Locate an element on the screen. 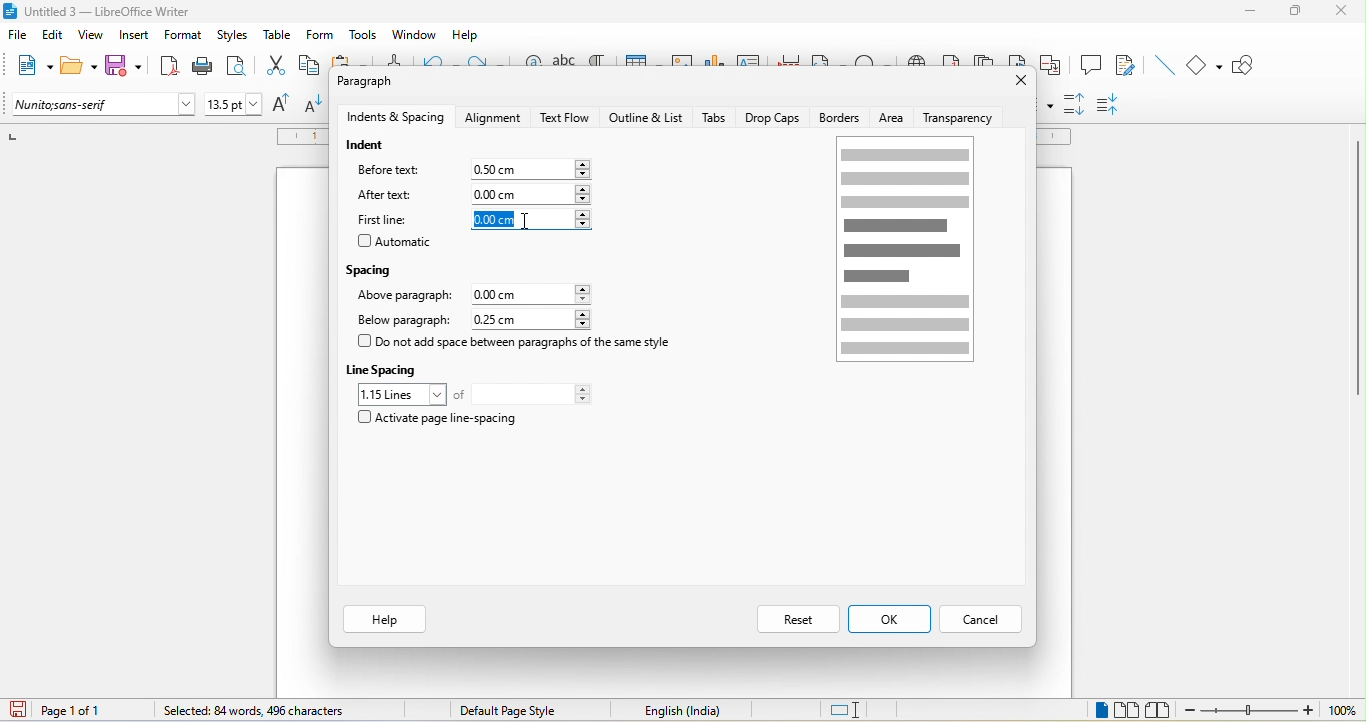 The height and width of the screenshot is (722, 1366). tools is located at coordinates (362, 36).